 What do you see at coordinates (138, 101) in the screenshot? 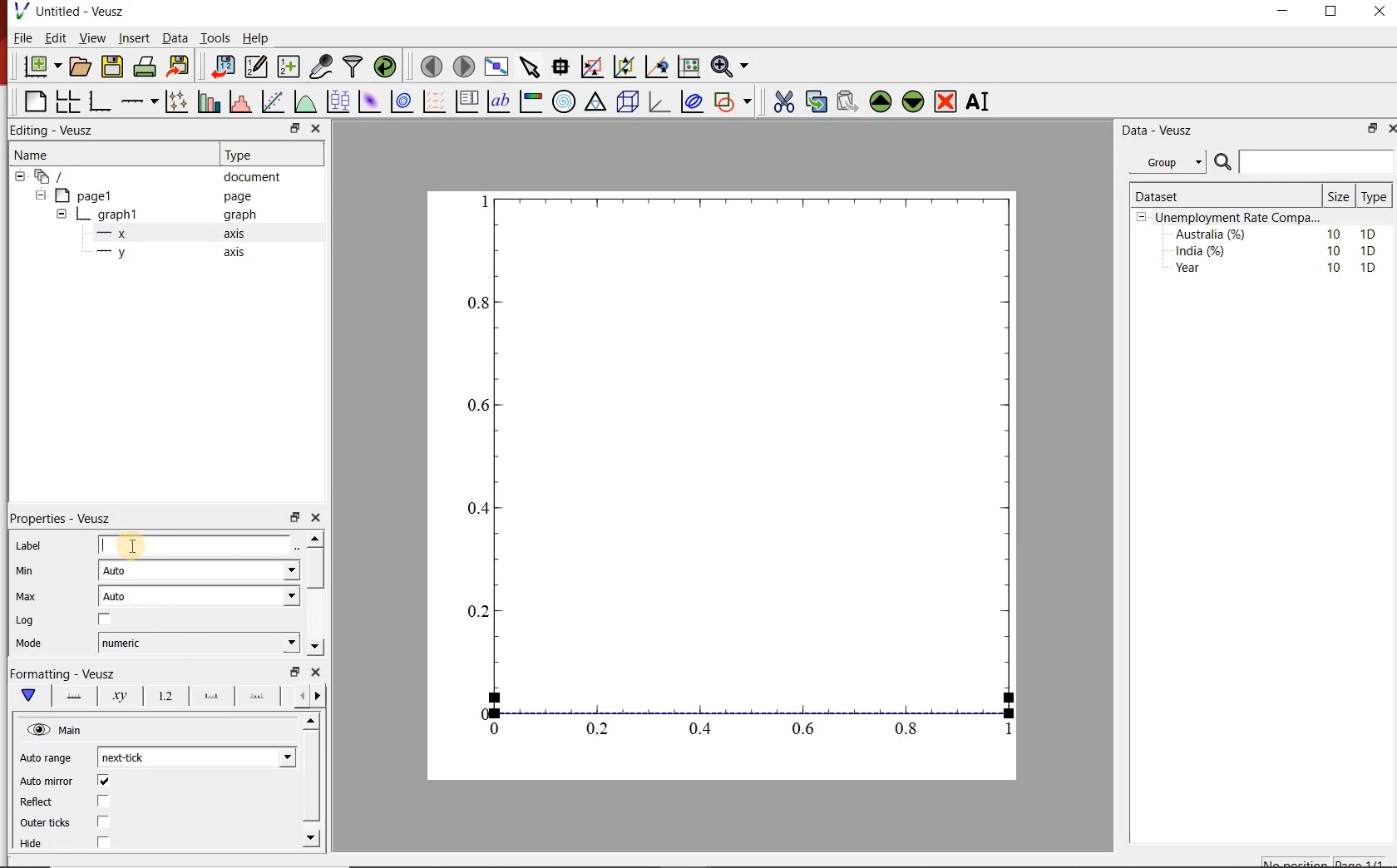
I see `add an axis` at bounding box center [138, 101].